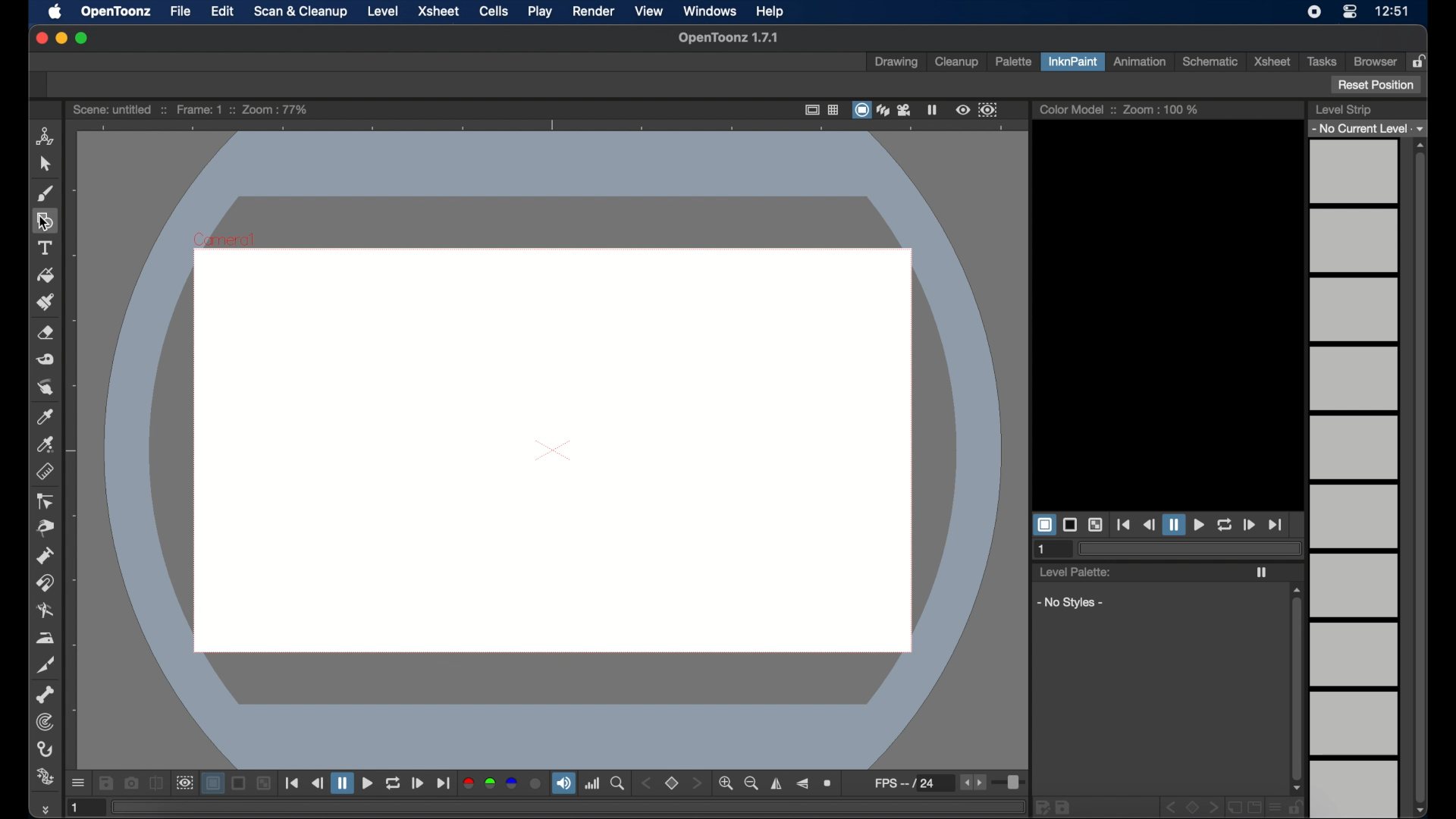  Describe the element at coordinates (46, 302) in the screenshot. I see `paint brush tool` at that location.